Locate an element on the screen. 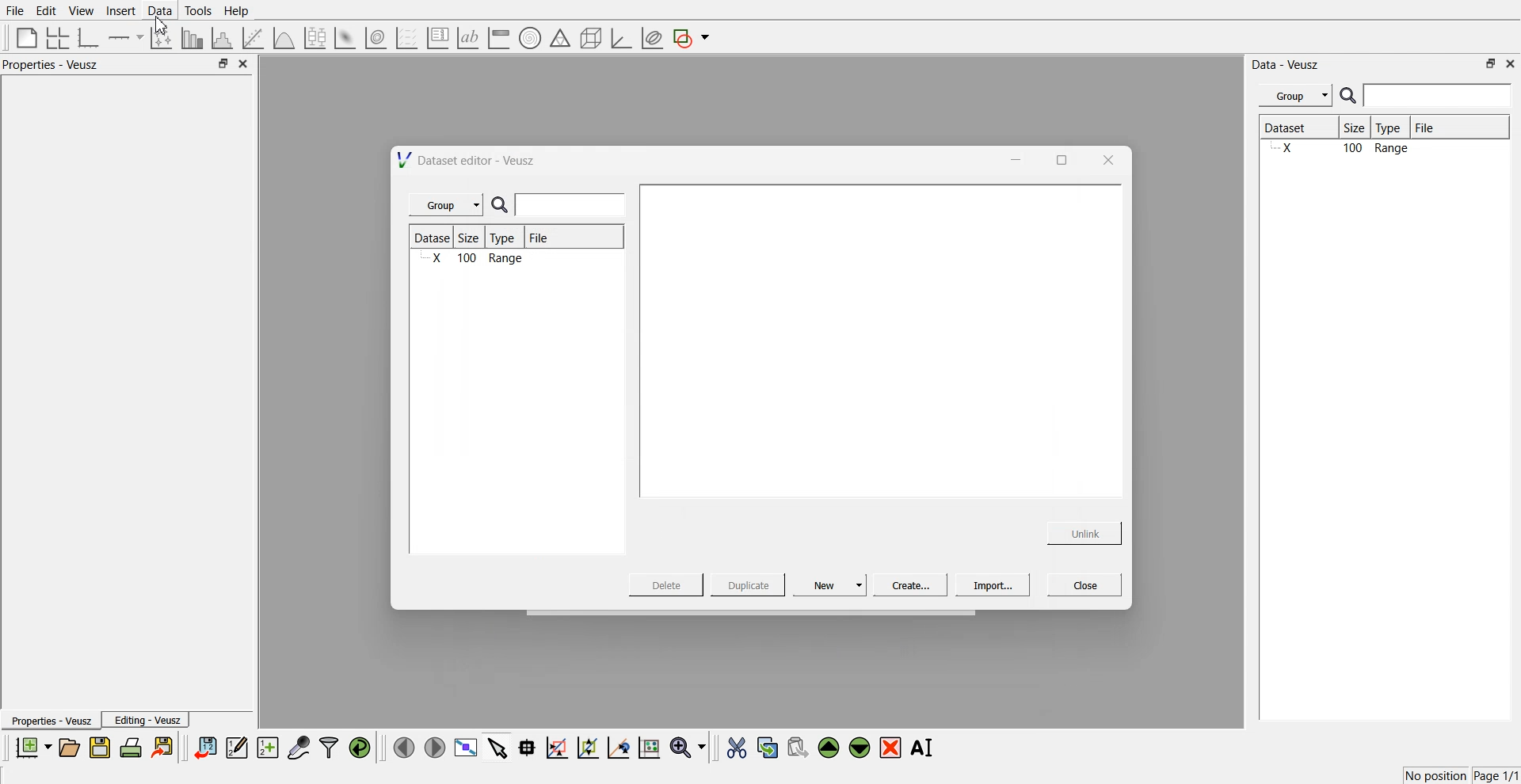  histogram is located at coordinates (225, 37).